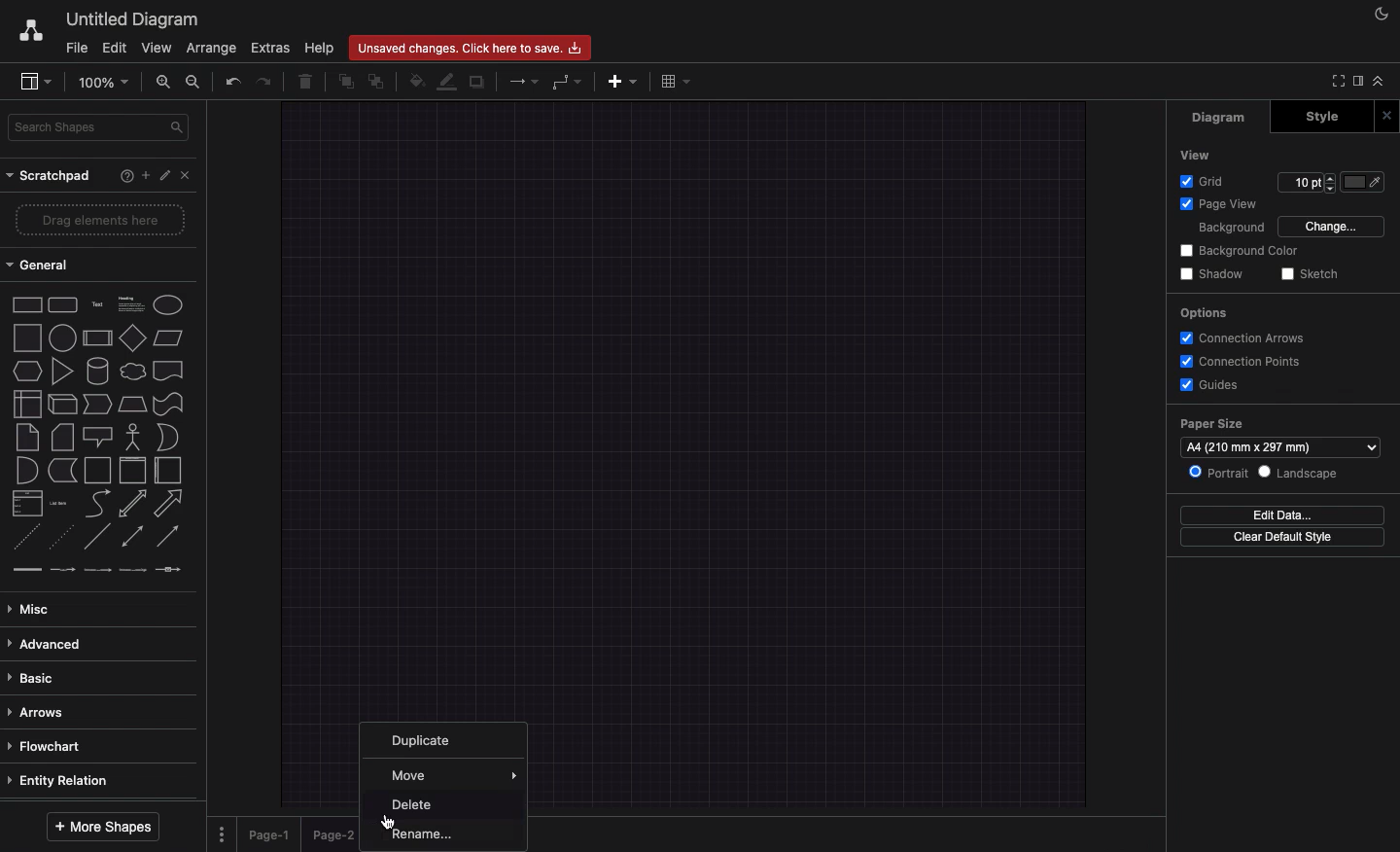 This screenshot has width=1400, height=852. Describe the element at coordinates (447, 83) in the screenshot. I see `Line color` at that location.